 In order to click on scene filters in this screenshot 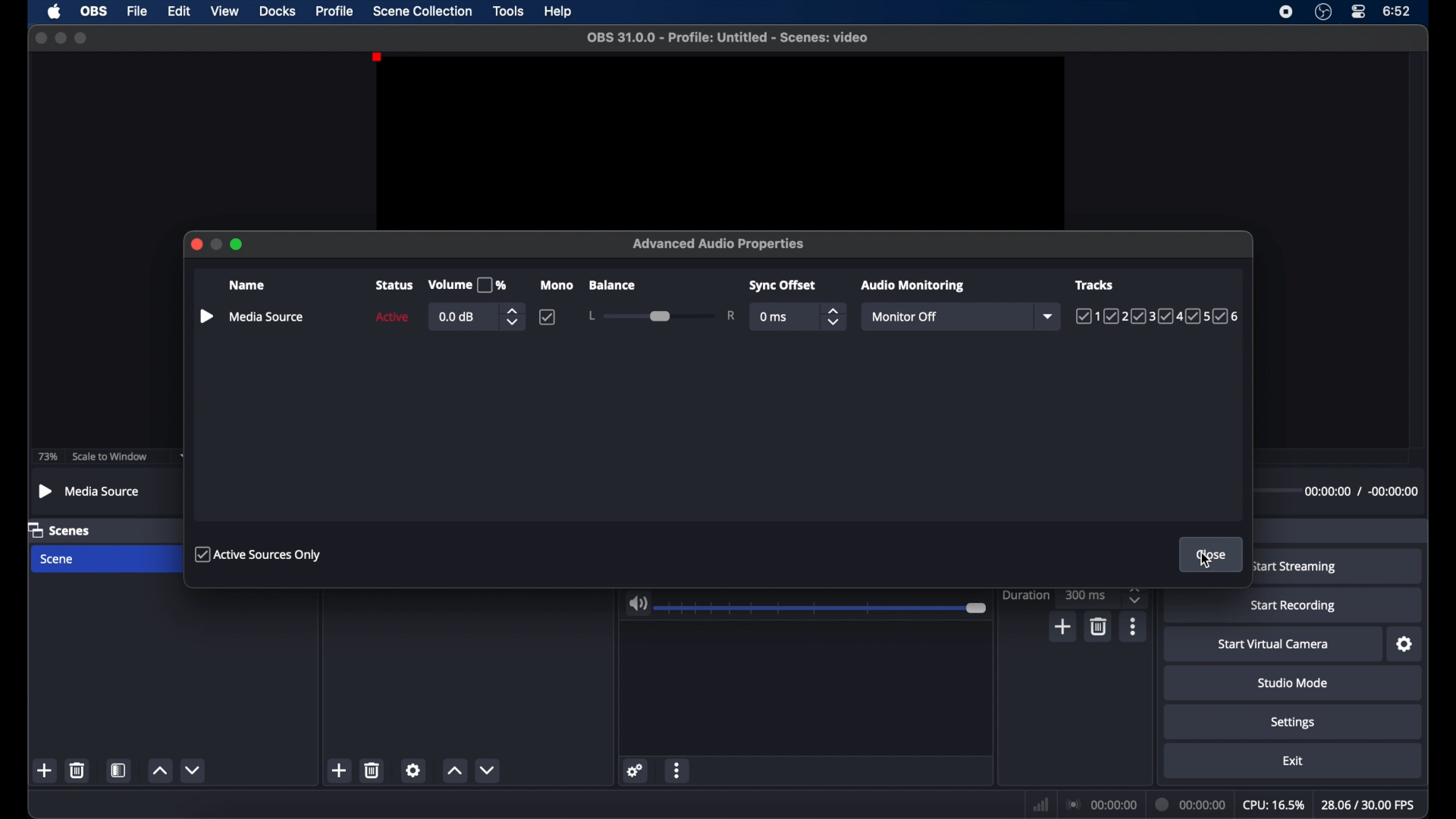, I will do `click(119, 770)`.